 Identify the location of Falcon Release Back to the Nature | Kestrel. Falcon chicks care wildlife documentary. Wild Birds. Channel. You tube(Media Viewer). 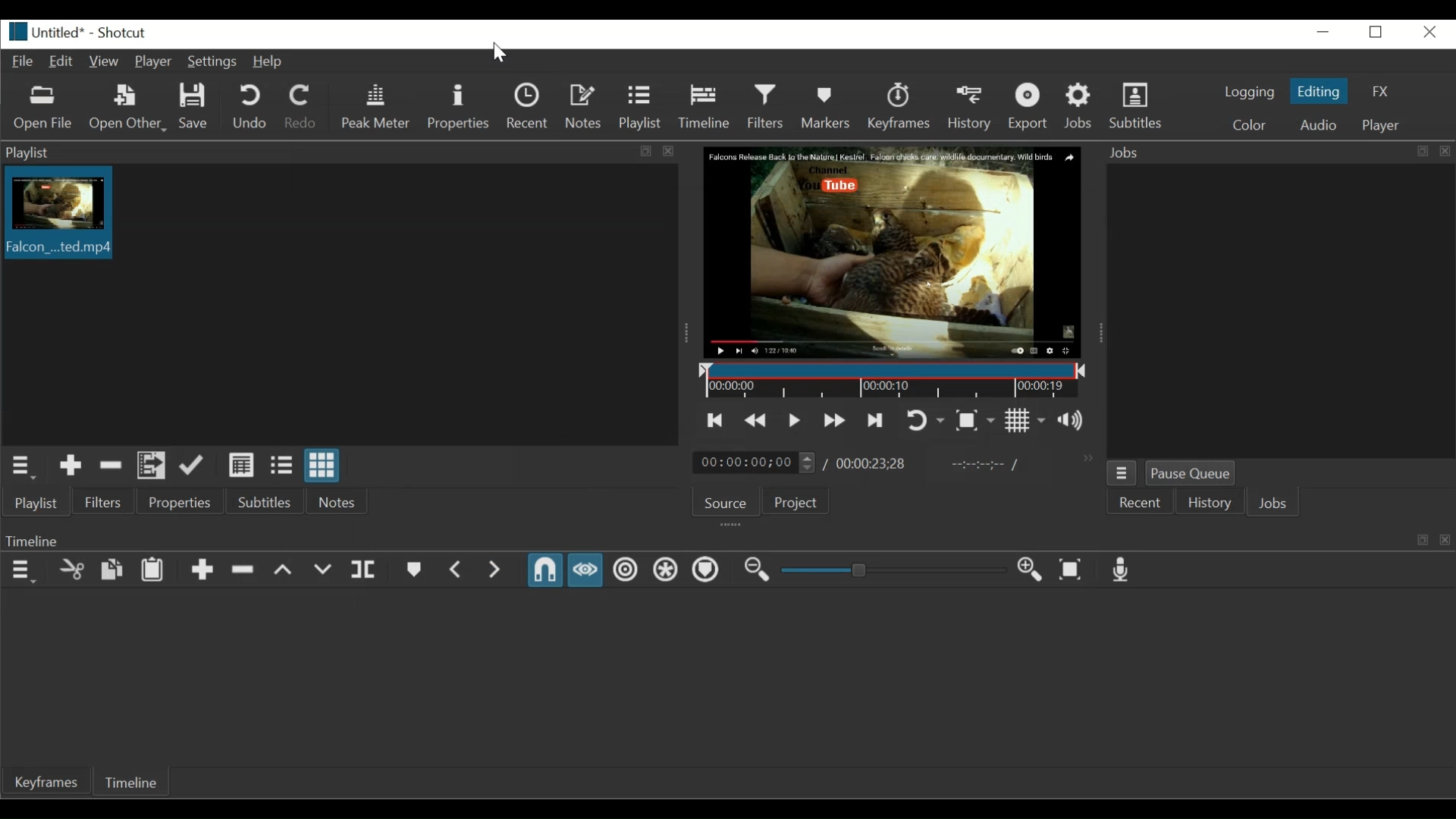
(893, 252).